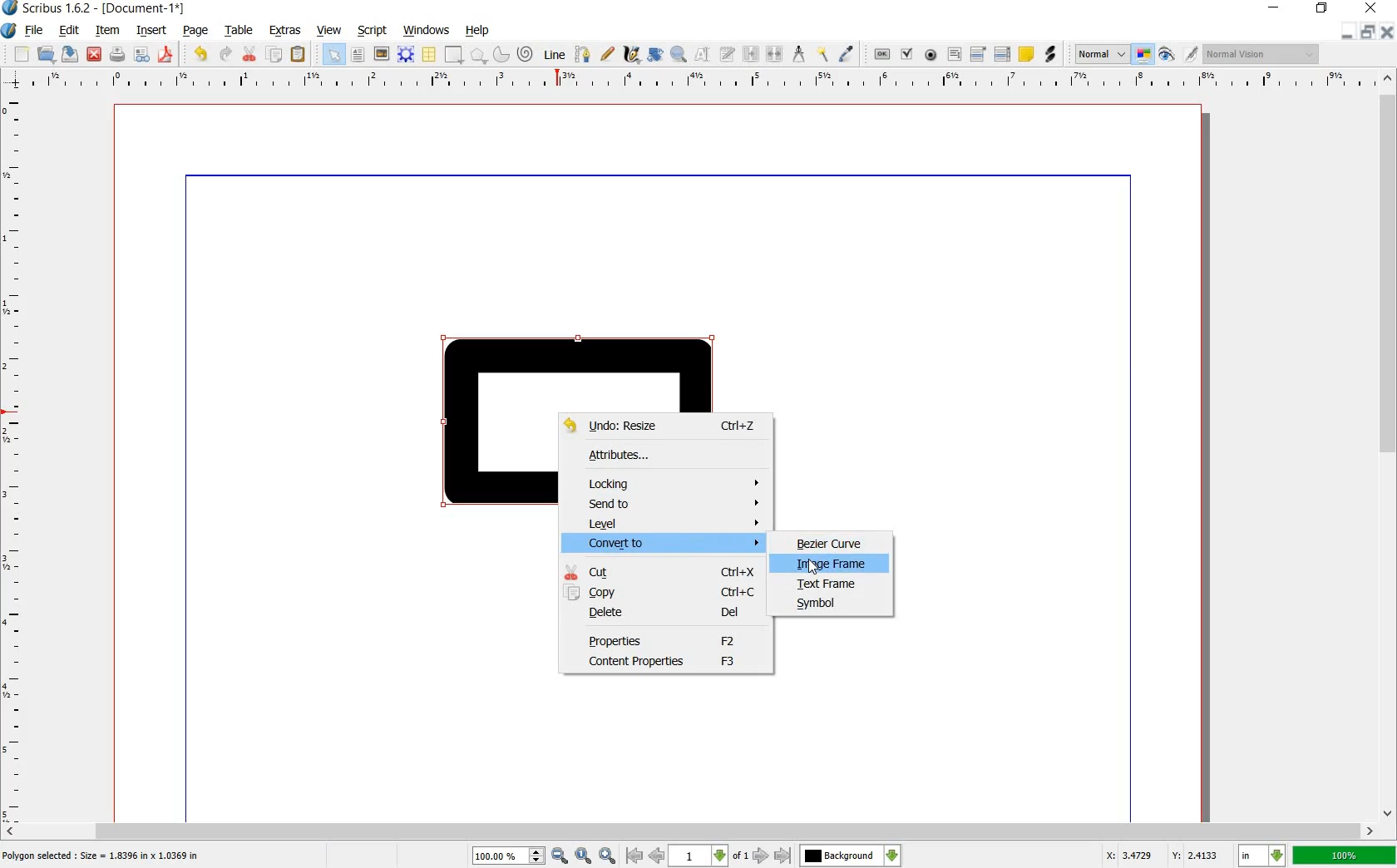 The image size is (1397, 868). Describe the element at coordinates (19, 457) in the screenshot. I see `ruler` at that location.